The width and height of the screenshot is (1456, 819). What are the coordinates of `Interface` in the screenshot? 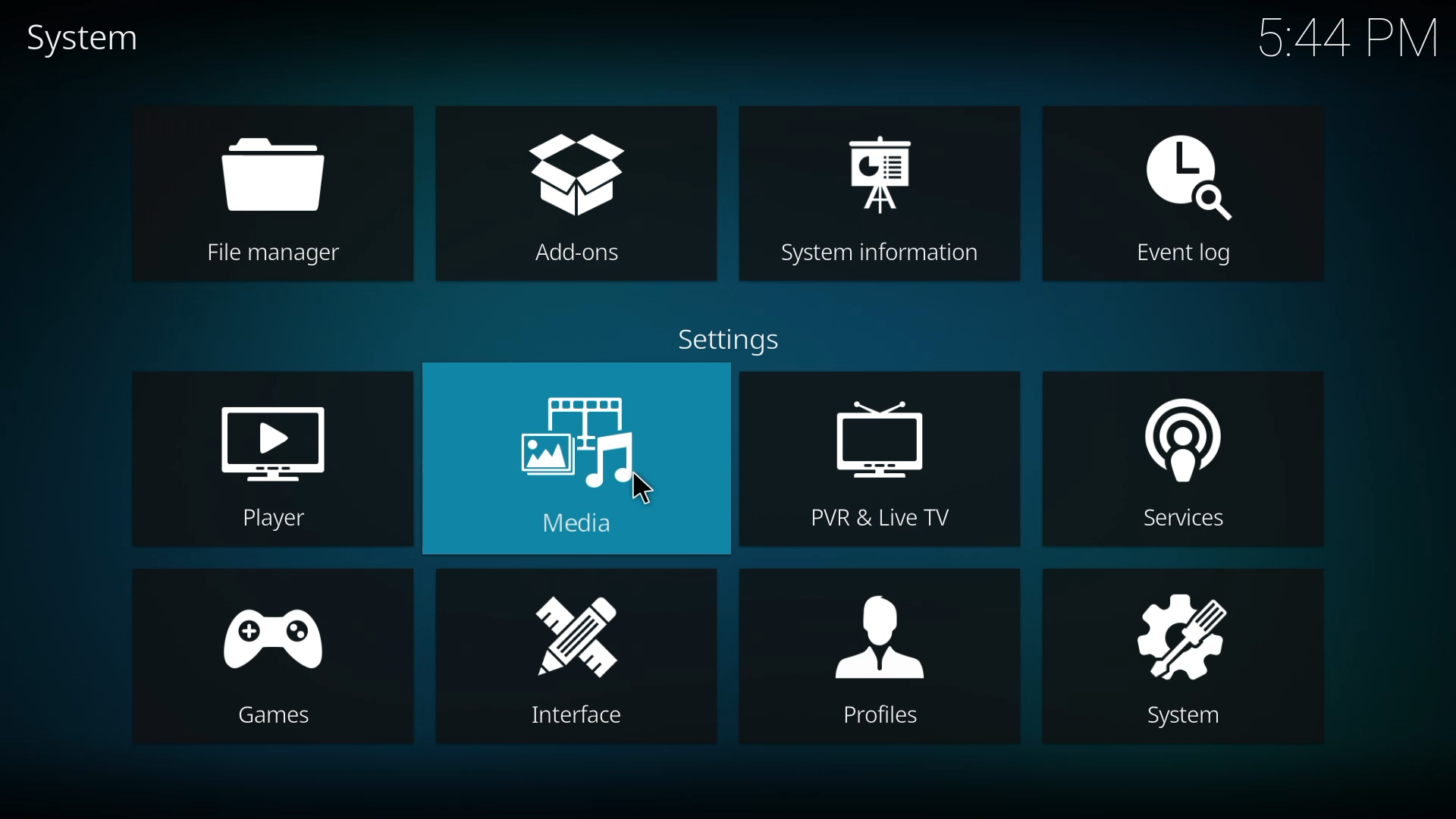 It's located at (567, 718).